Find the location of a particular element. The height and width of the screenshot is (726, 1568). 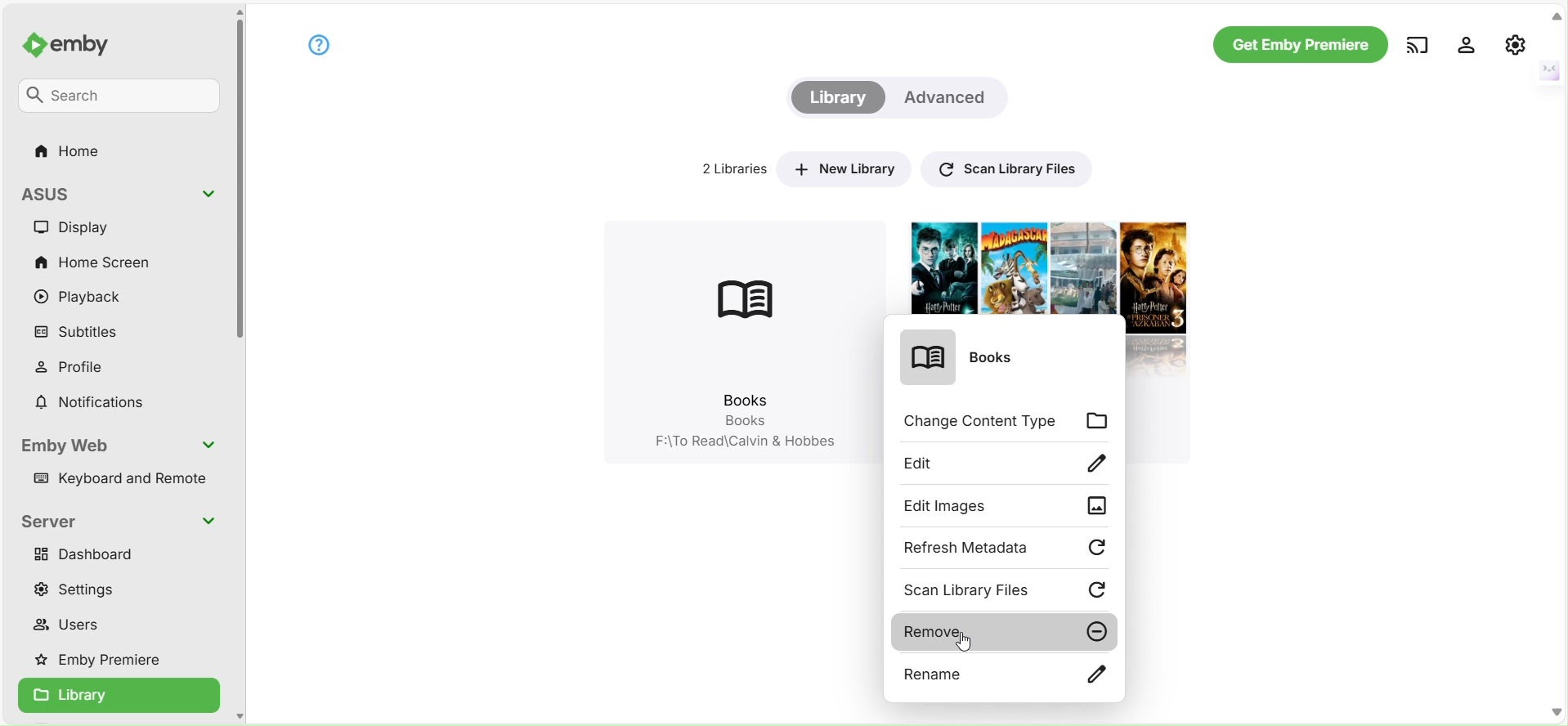

Get Emby Premier is located at coordinates (1299, 45).